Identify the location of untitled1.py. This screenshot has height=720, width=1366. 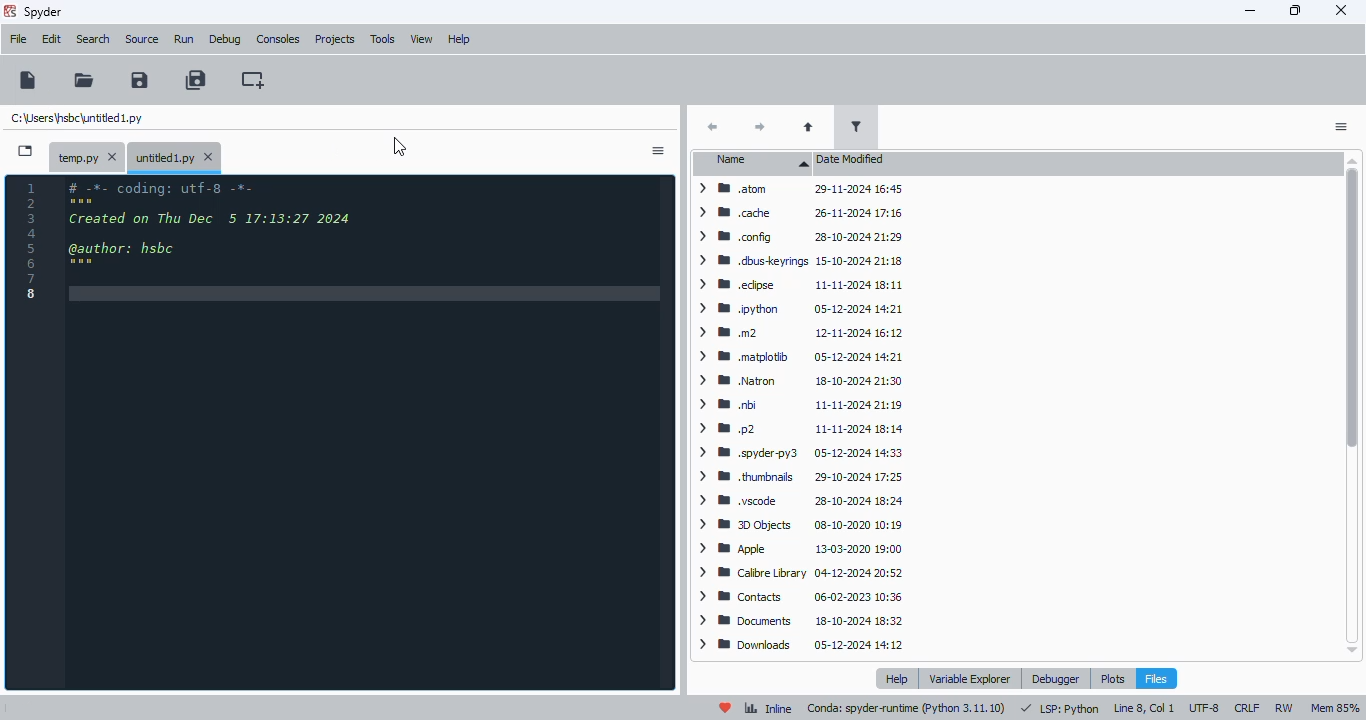
(174, 156).